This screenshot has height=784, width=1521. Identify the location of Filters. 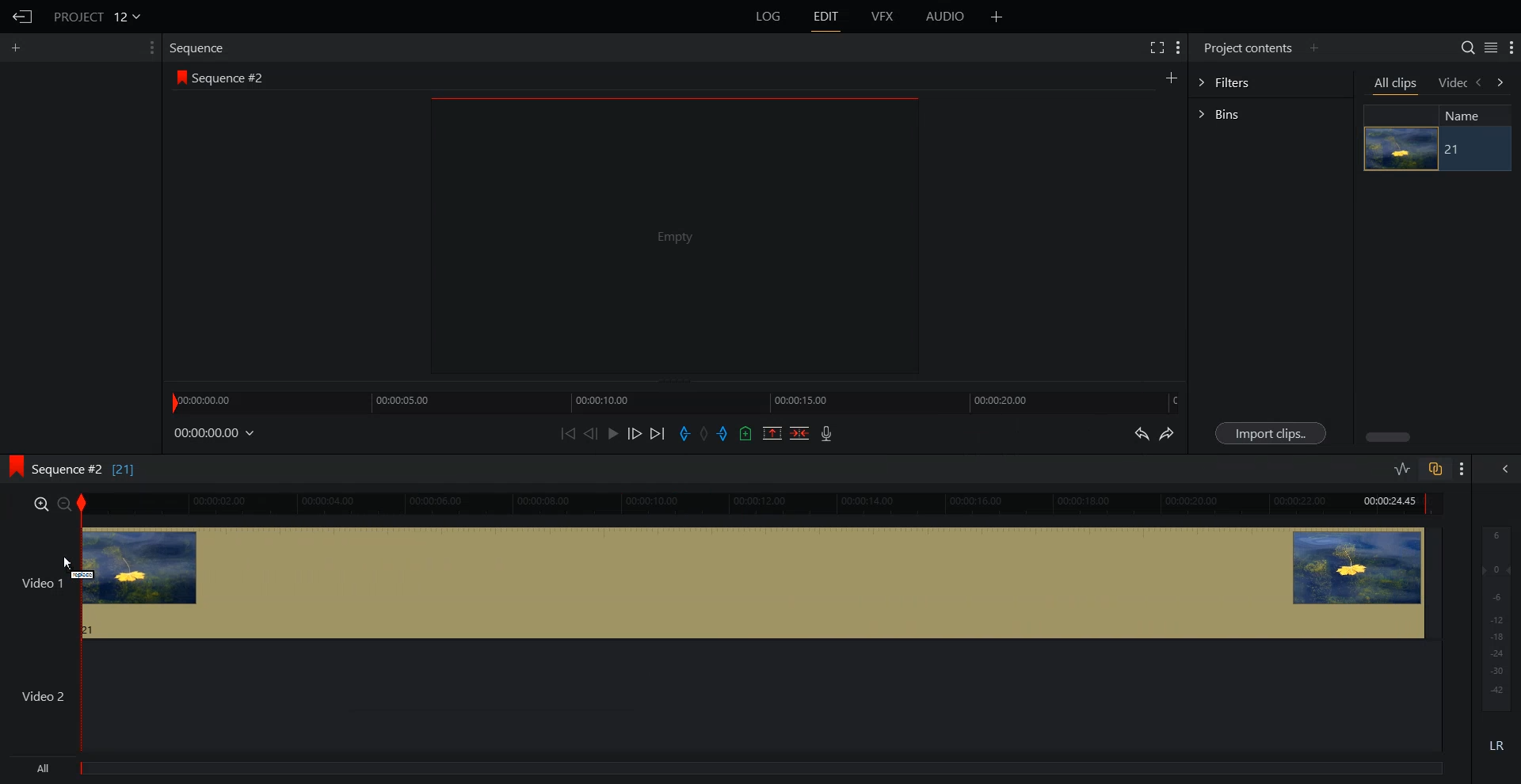
(1271, 83).